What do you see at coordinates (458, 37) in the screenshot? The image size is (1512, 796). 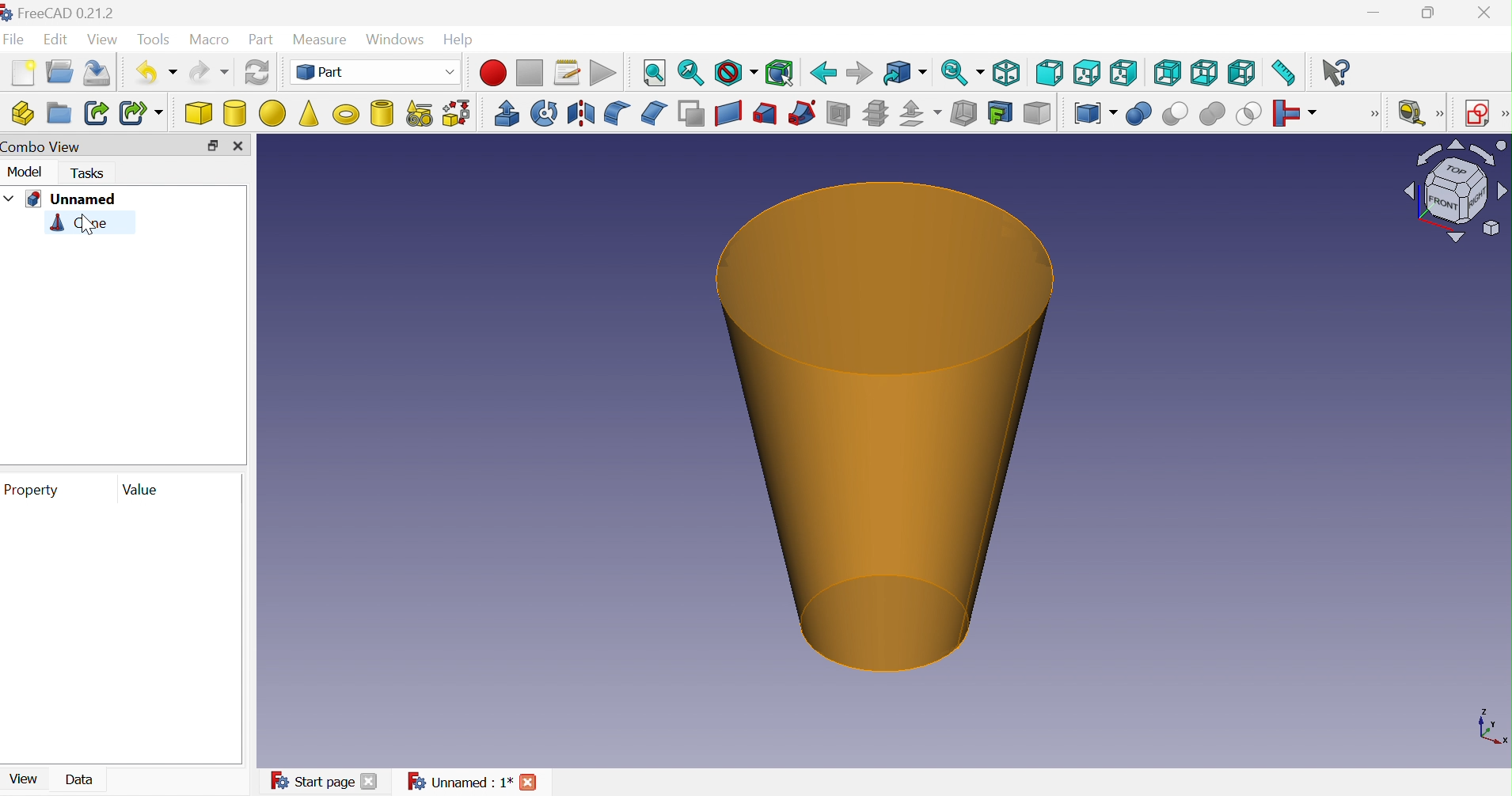 I see `Help` at bounding box center [458, 37].